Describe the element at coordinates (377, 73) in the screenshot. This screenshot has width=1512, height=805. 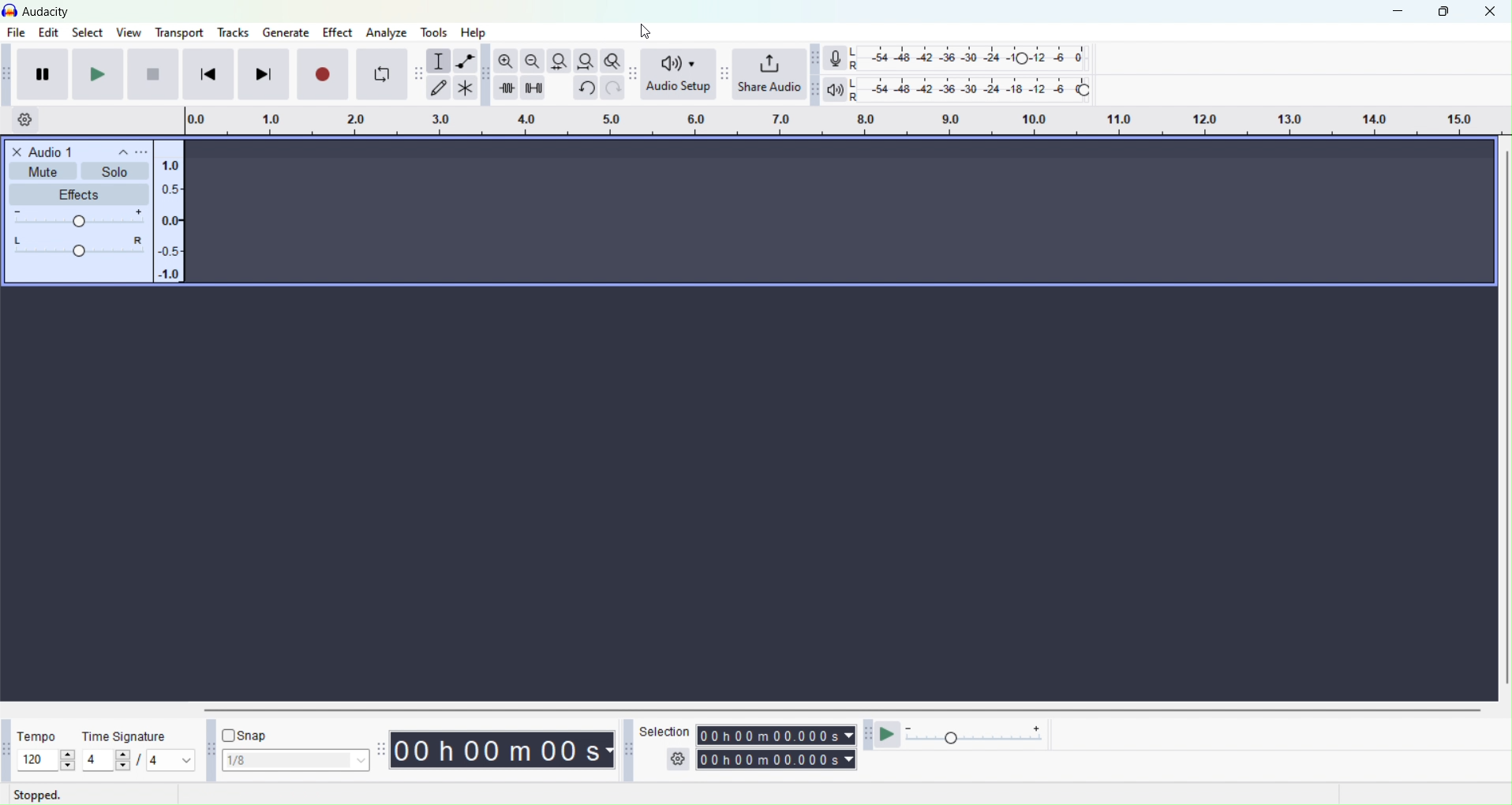
I see `Enable looping` at that location.